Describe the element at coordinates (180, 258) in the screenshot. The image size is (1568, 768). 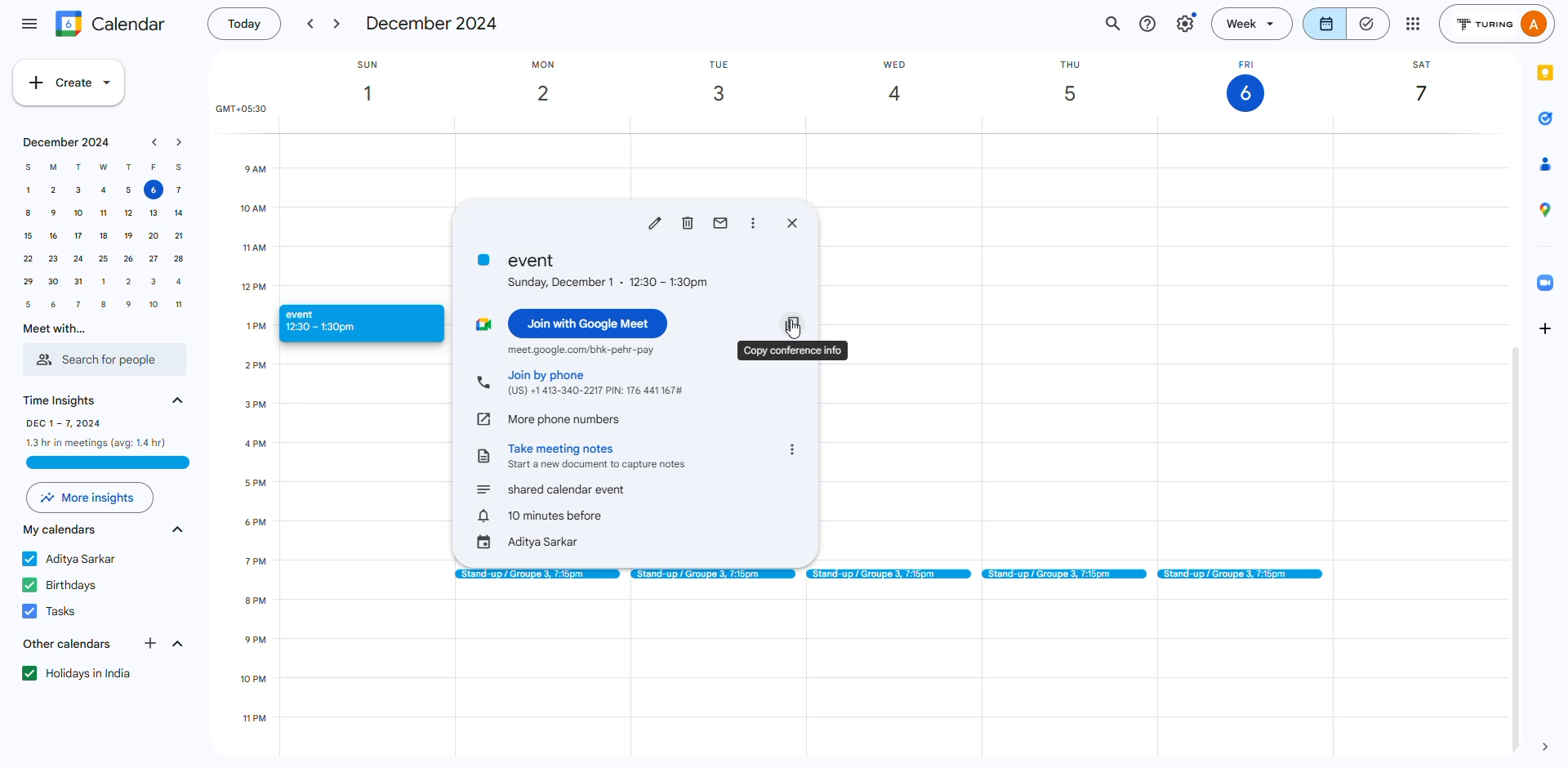
I see `28` at that location.